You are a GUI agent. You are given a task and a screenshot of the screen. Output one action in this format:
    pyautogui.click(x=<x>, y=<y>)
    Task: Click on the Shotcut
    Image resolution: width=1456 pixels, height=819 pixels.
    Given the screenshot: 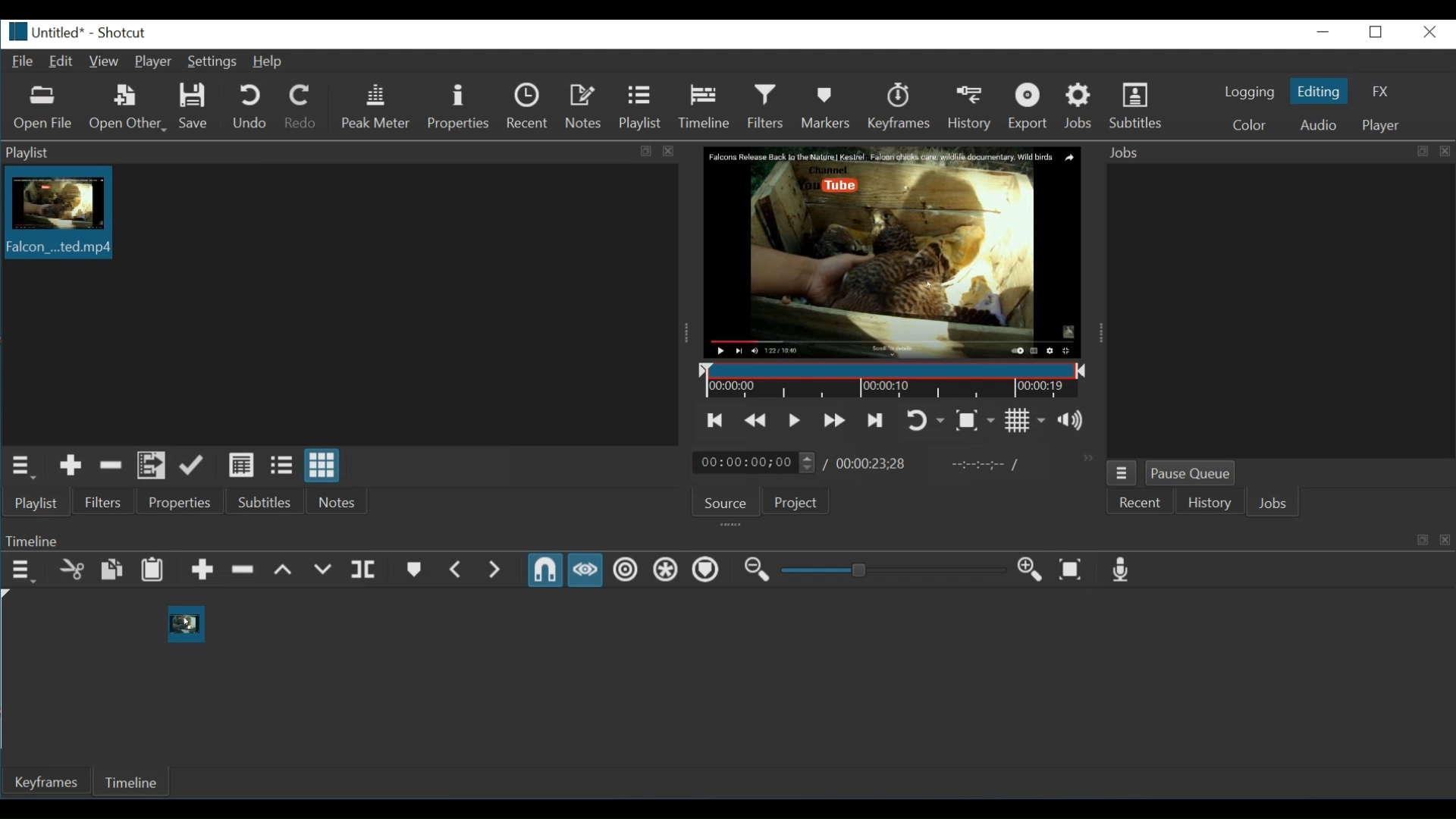 What is the action you would take?
    pyautogui.click(x=121, y=33)
    